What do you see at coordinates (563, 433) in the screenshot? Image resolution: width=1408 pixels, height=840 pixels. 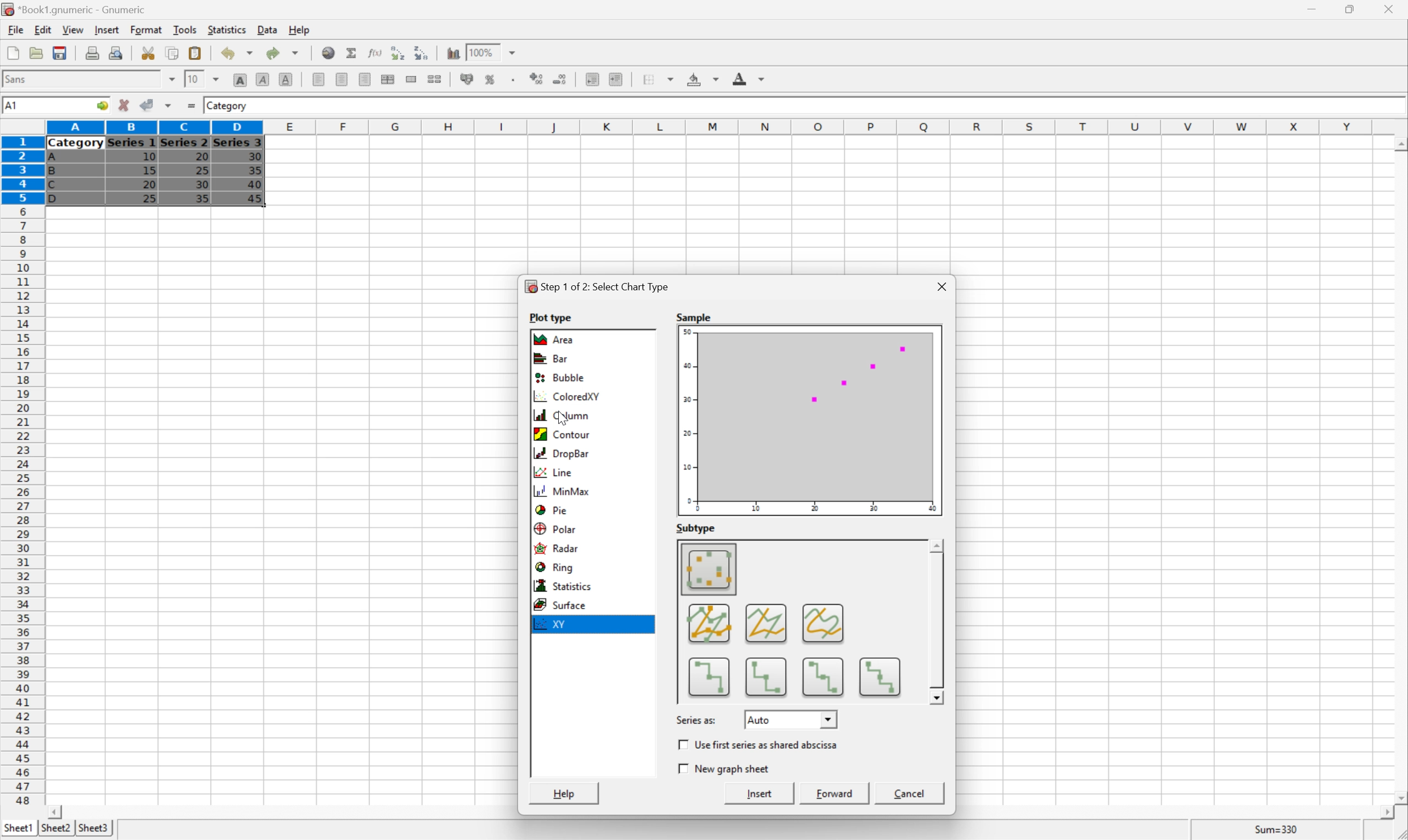 I see `Contour` at bounding box center [563, 433].